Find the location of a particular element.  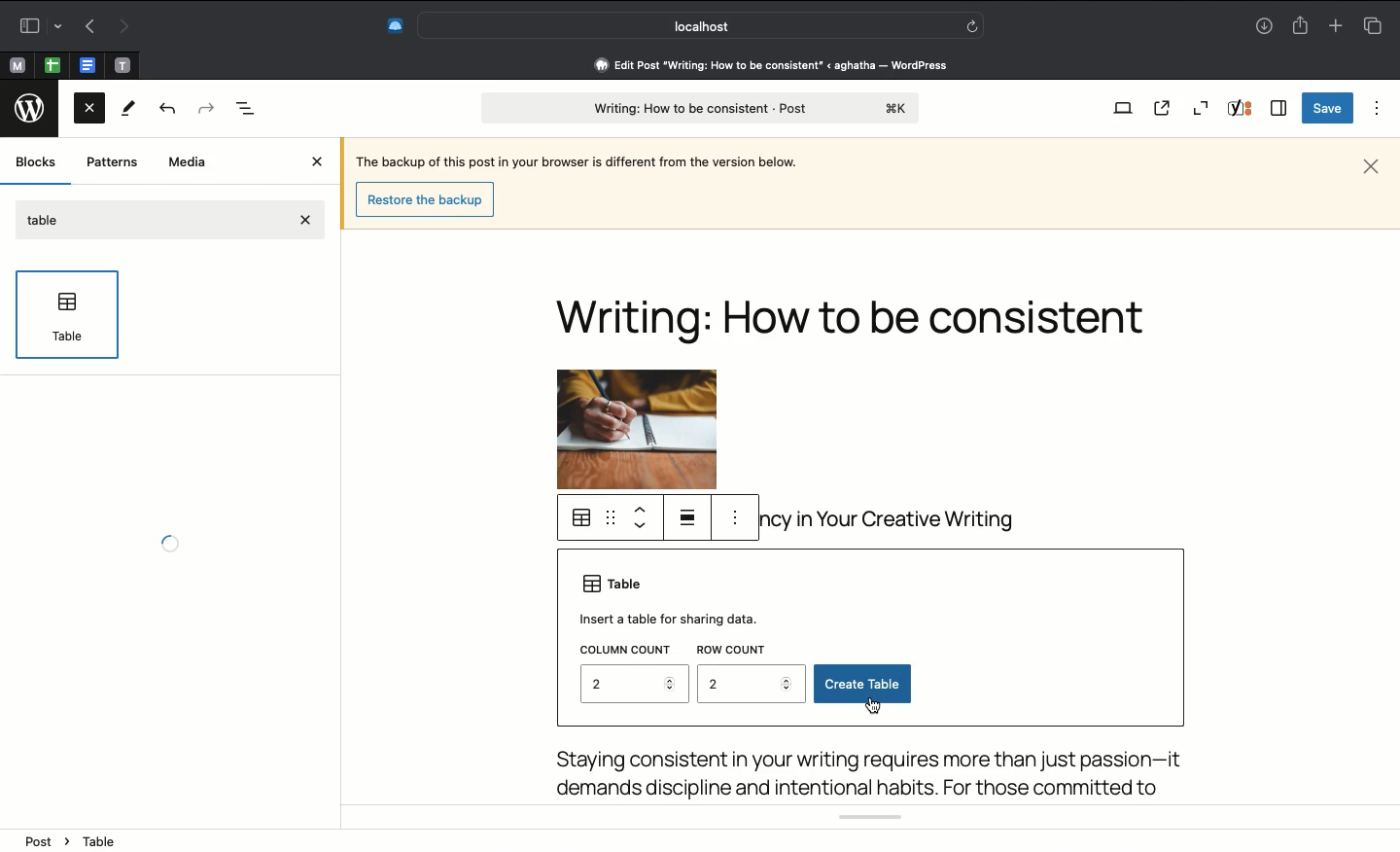

Zoom out is located at coordinates (1204, 106).